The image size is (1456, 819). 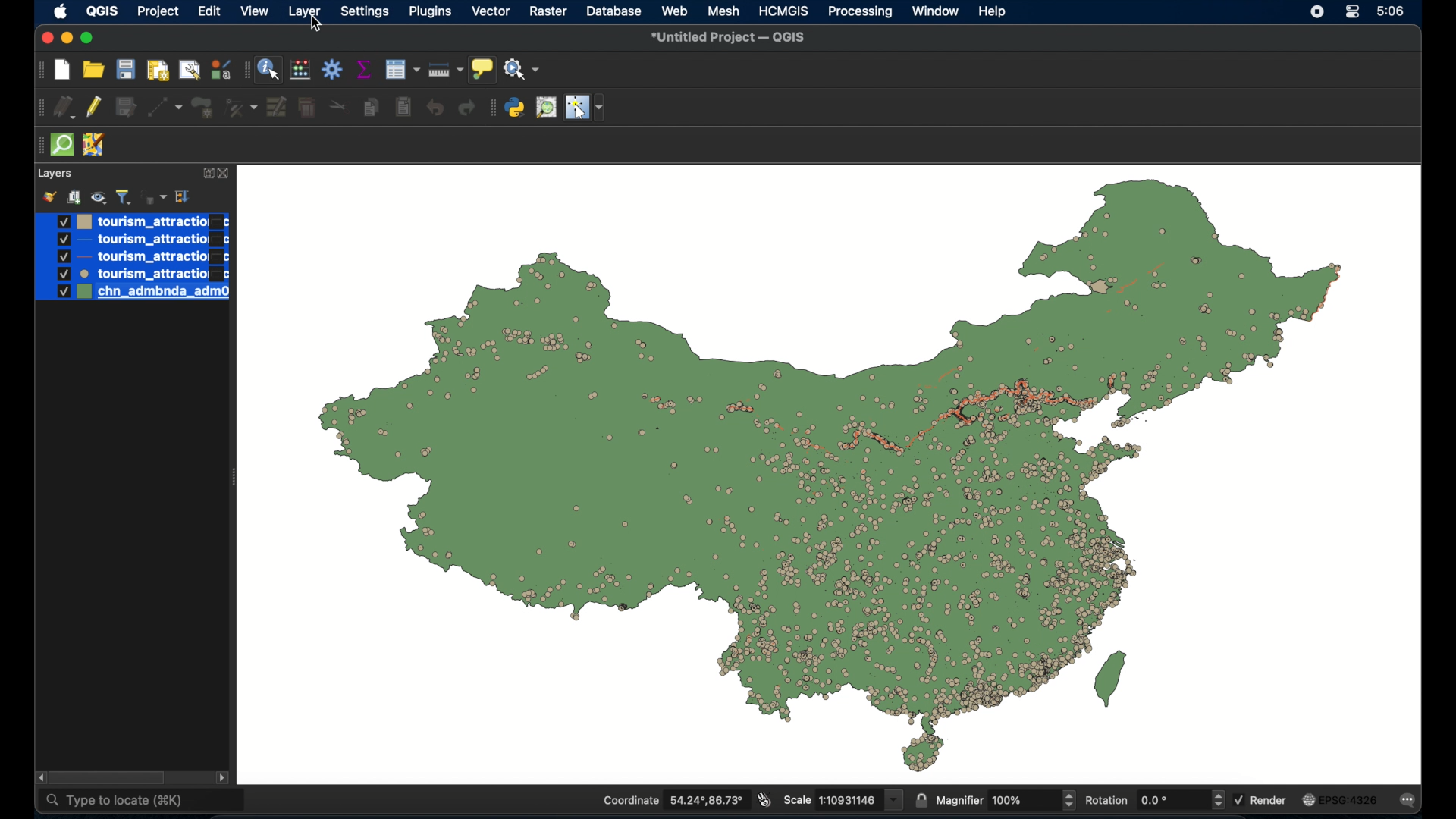 I want to click on apple icon, so click(x=61, y=12).